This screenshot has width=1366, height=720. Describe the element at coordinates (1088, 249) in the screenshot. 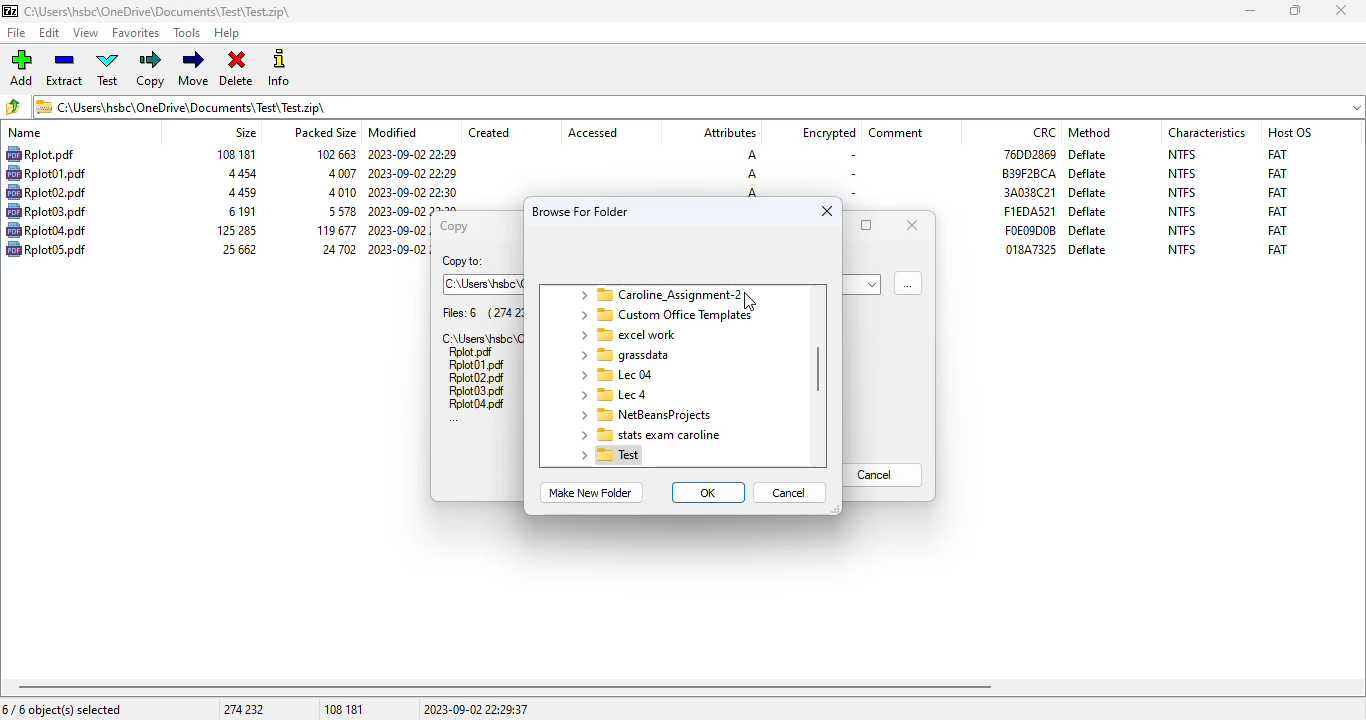

I see `deflate` at that location.